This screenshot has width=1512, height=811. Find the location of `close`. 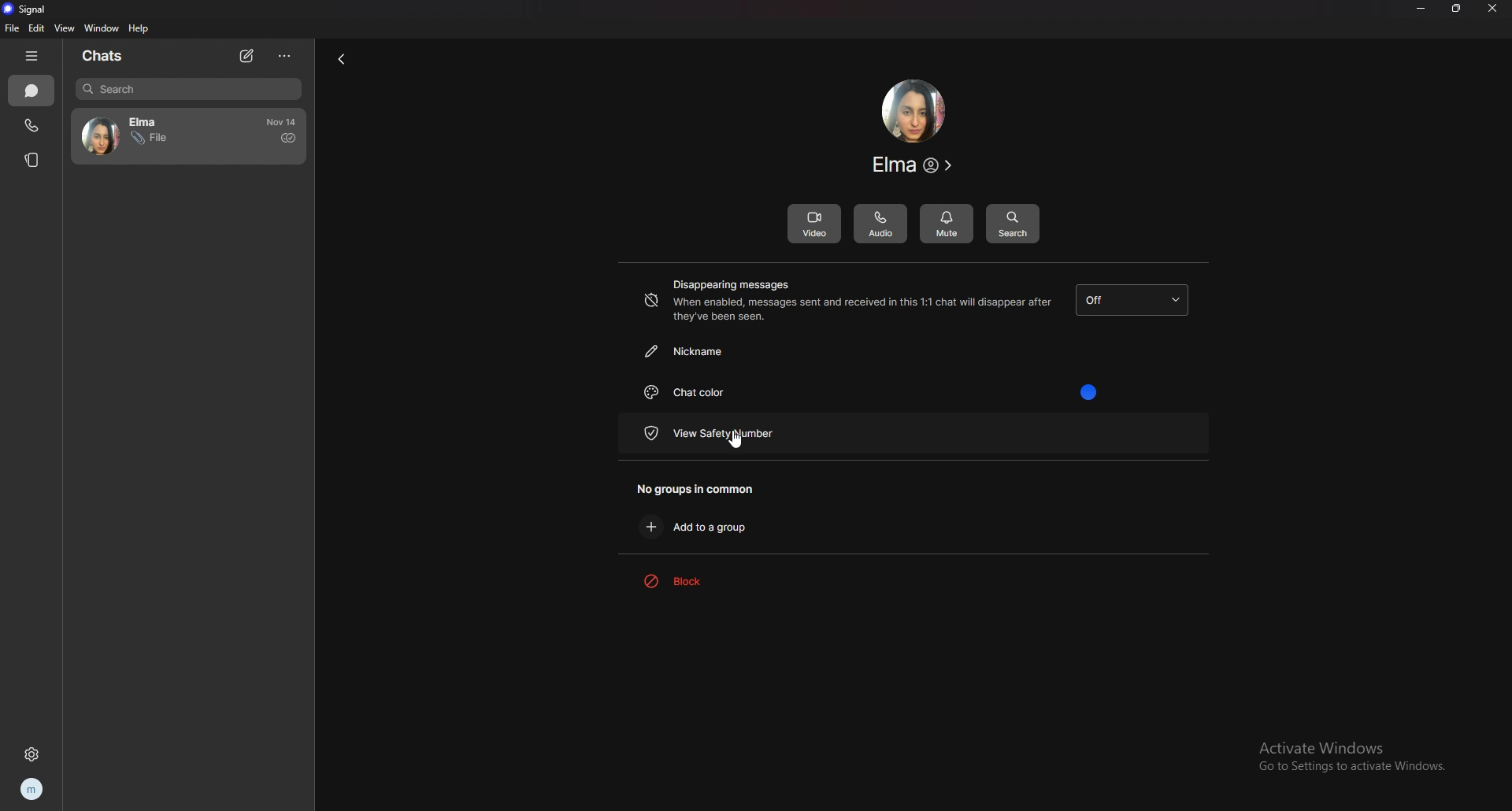

close is located at coordinates (1492, 9).